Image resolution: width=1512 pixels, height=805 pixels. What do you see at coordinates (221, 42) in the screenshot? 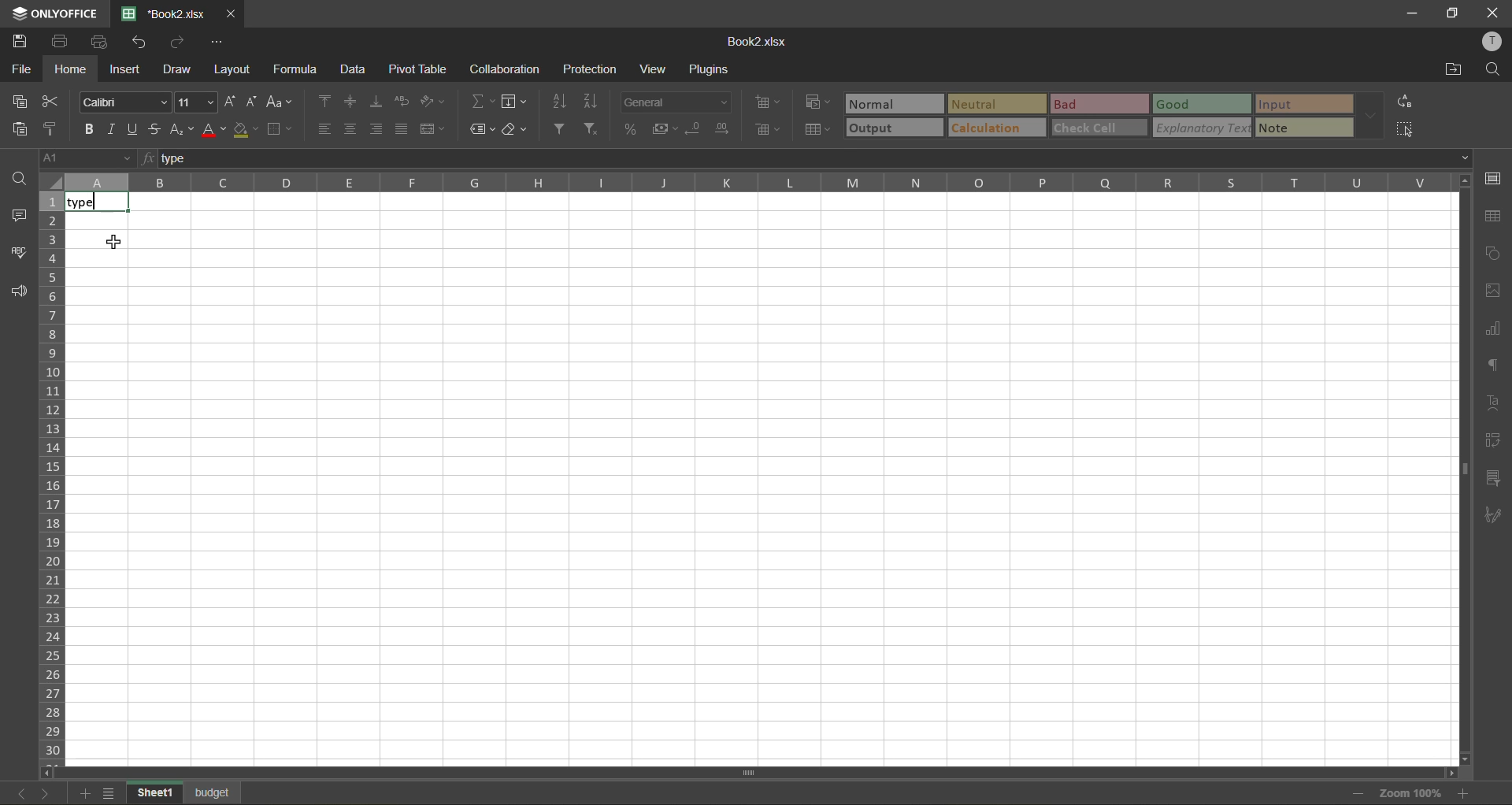
I see `customize quick access toolbar` at bounding box center [221, 42].